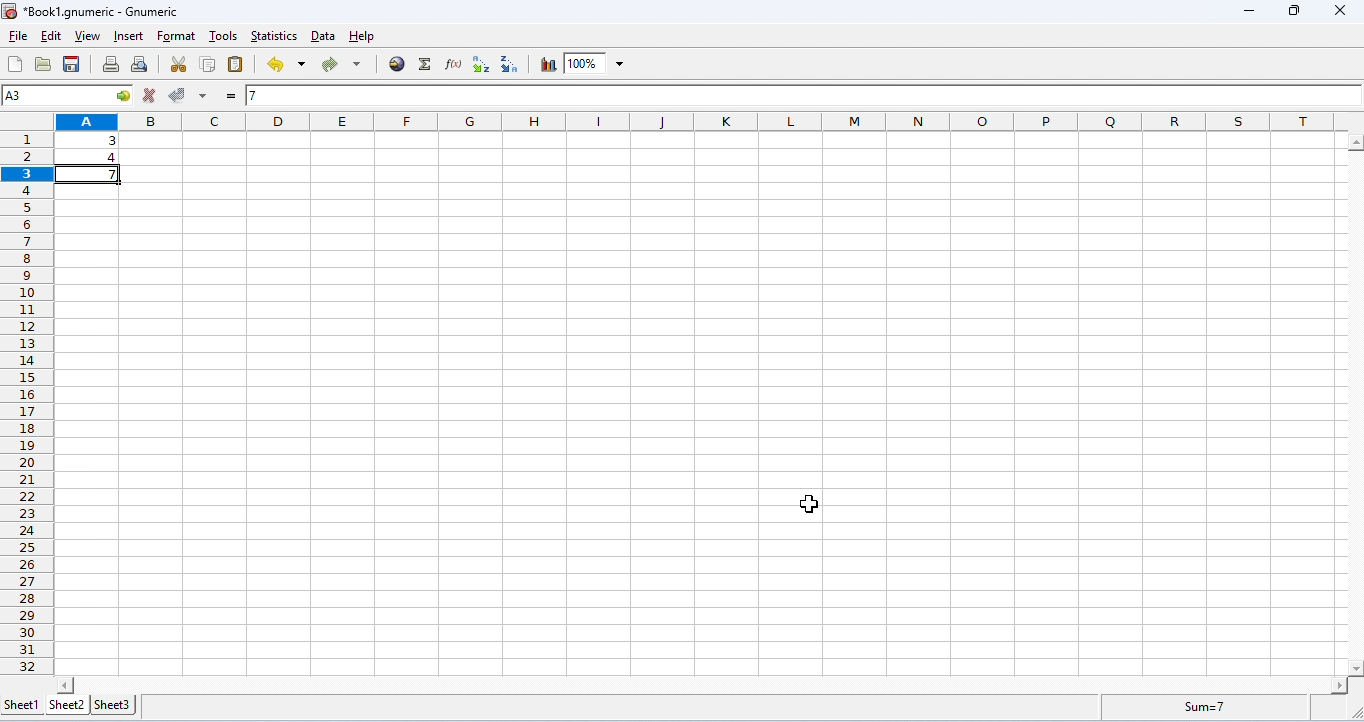  Describe the element at coordinates (699, 121) in the screenshot. I see `column headings` at that location.